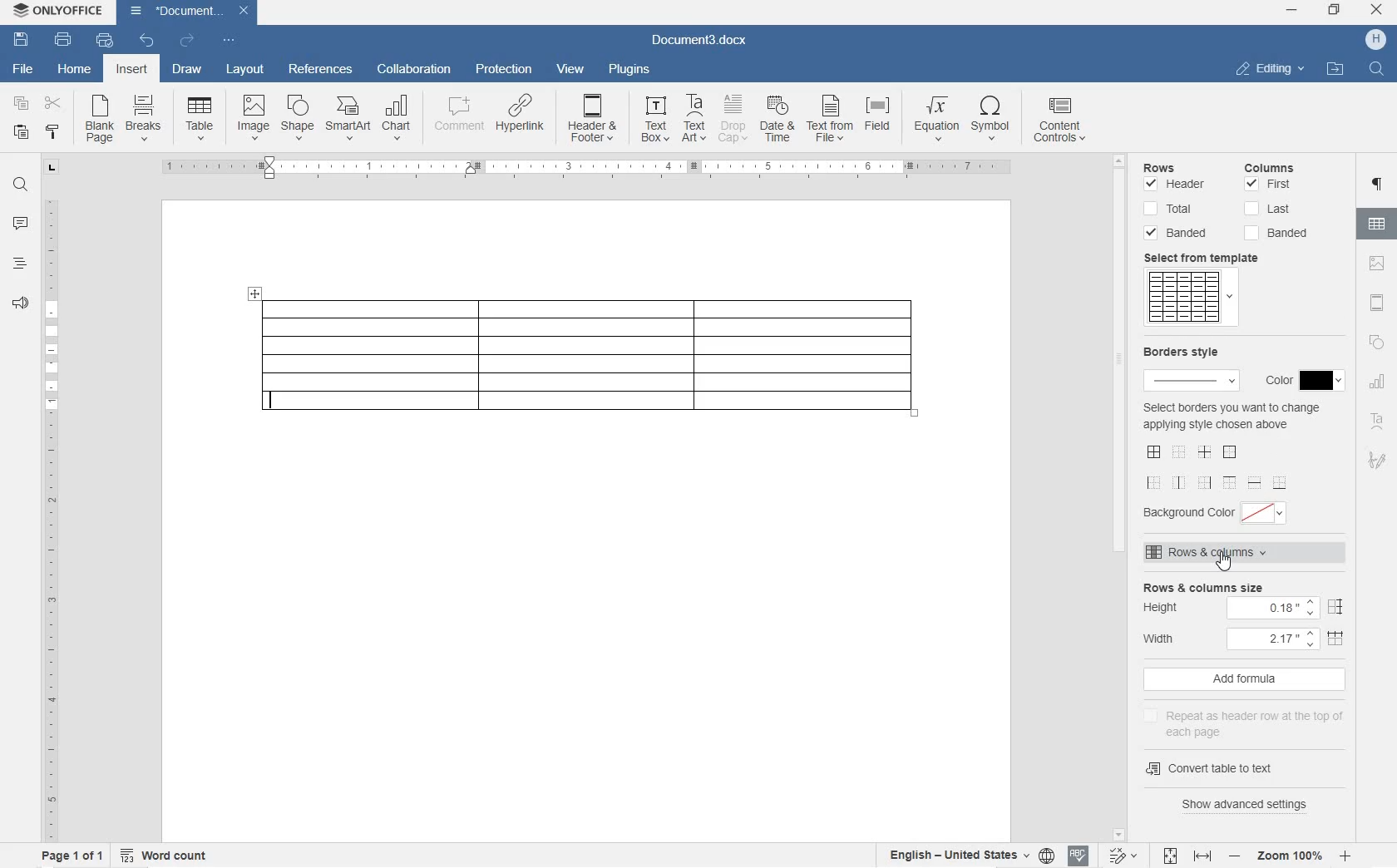 The height and width of the screenshot is (868, 1397). Describe the element at coordinates (1190, 298) in the screenshot. I see `template` at that location.